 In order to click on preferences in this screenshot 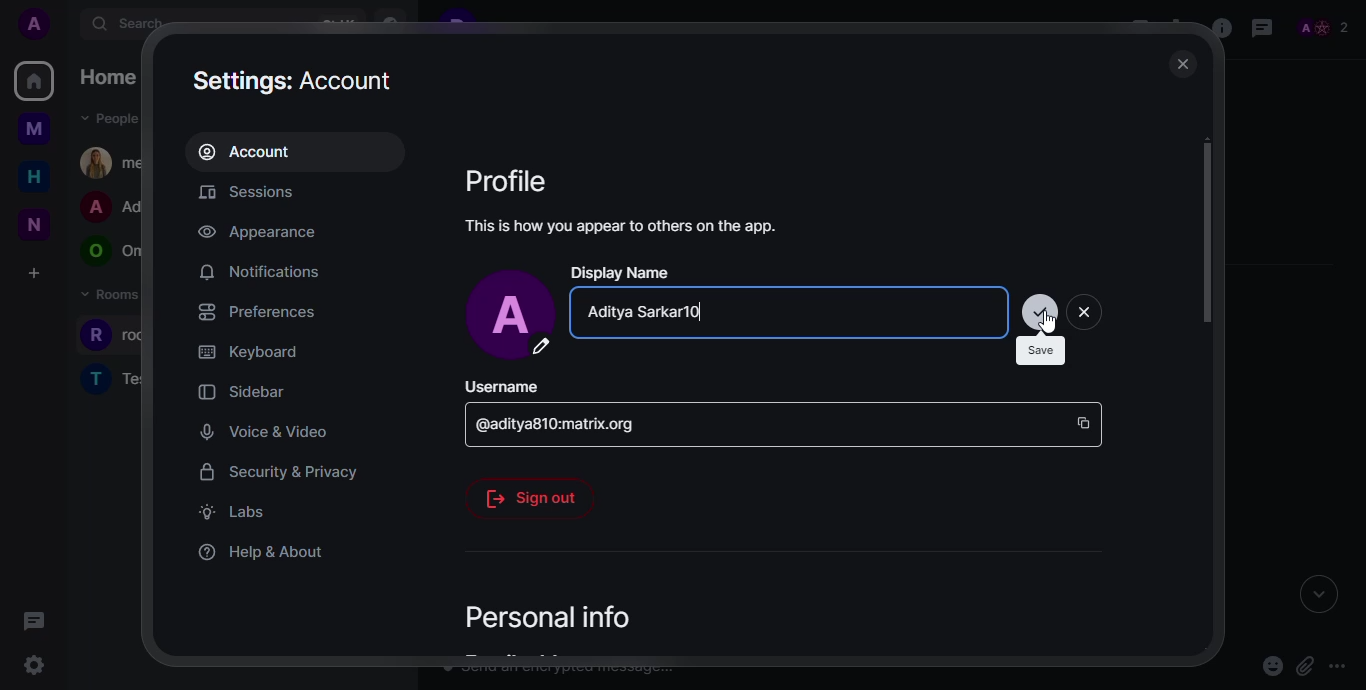, I will do `click(257, 311)`.